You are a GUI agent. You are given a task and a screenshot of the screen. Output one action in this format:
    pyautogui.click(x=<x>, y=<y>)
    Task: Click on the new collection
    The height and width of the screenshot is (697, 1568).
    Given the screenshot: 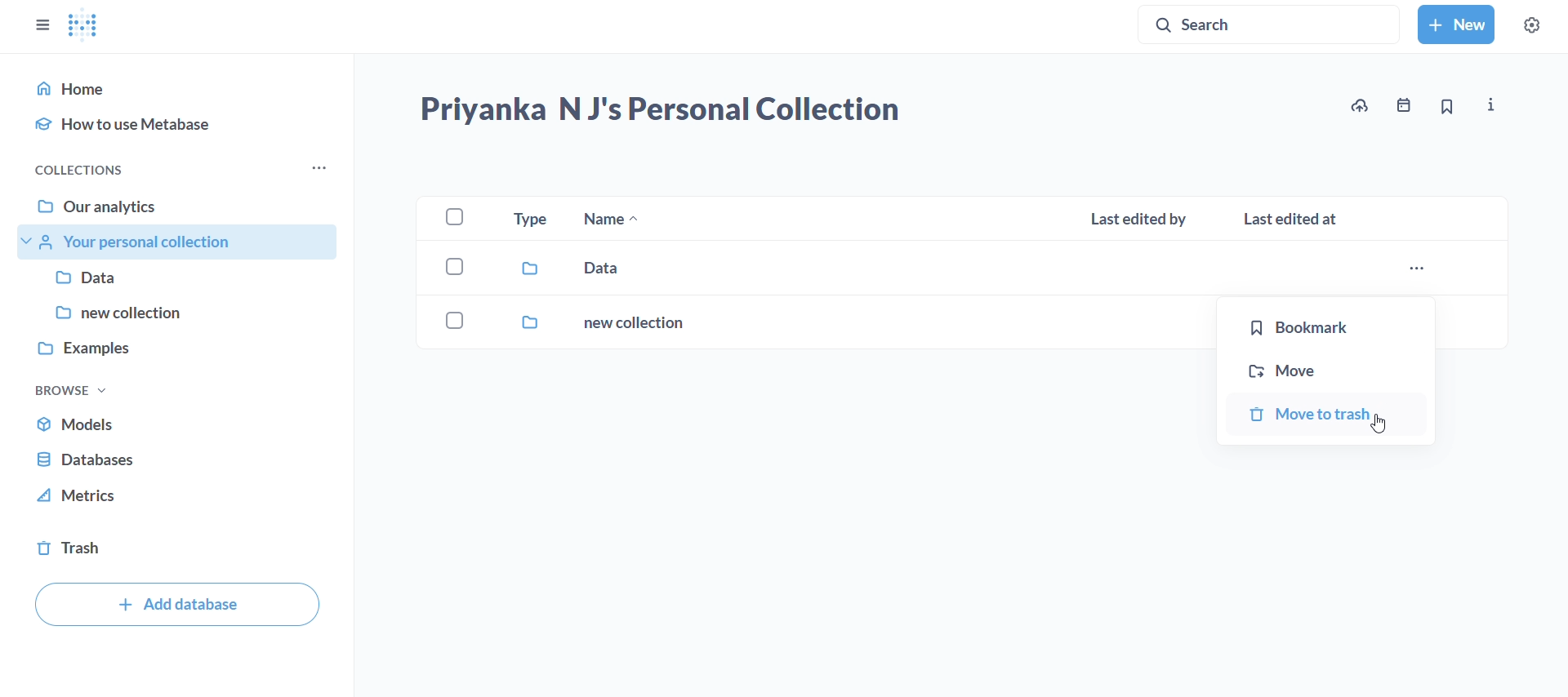 What is the action you would take?
    pyautogui.click(x=571, y=326)
    